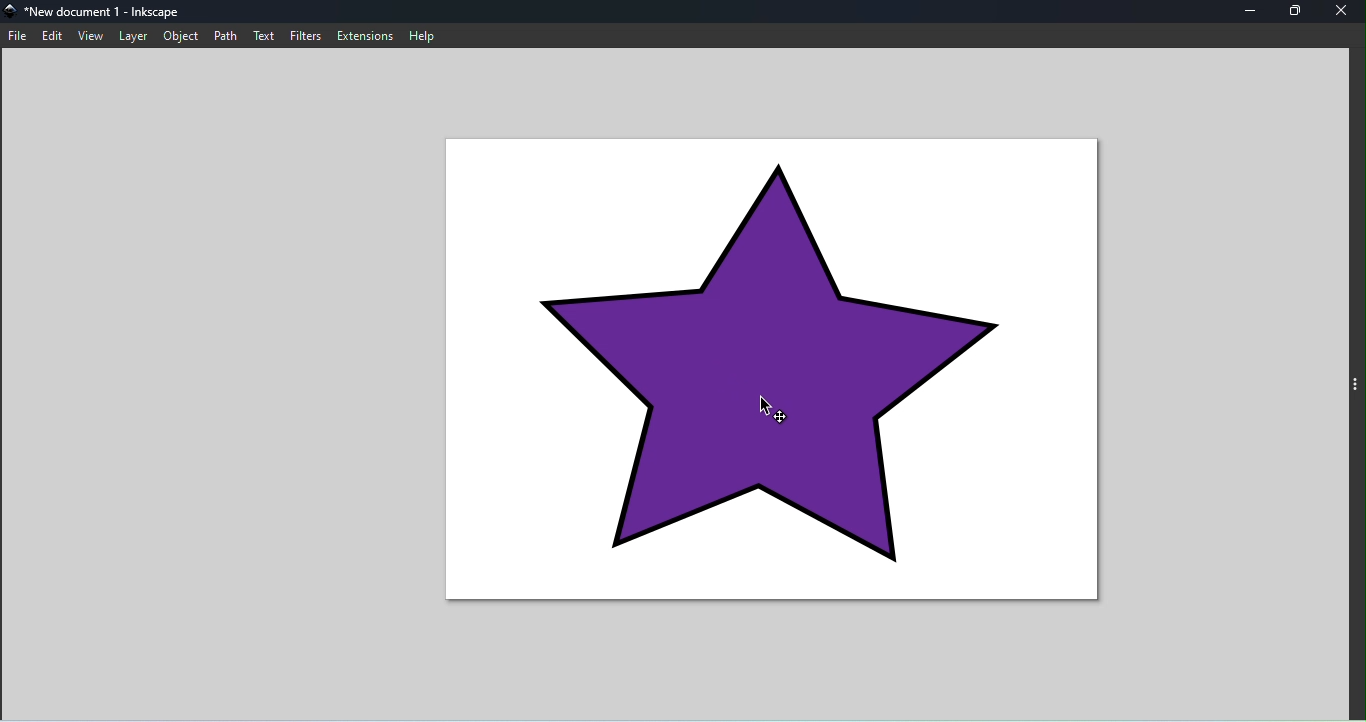 The height and width of the screenshot is (722, 1366). What do you see at coordinates (764, 404) in the screenshot?
I see `Cursor` at bounding box center [764, 404].